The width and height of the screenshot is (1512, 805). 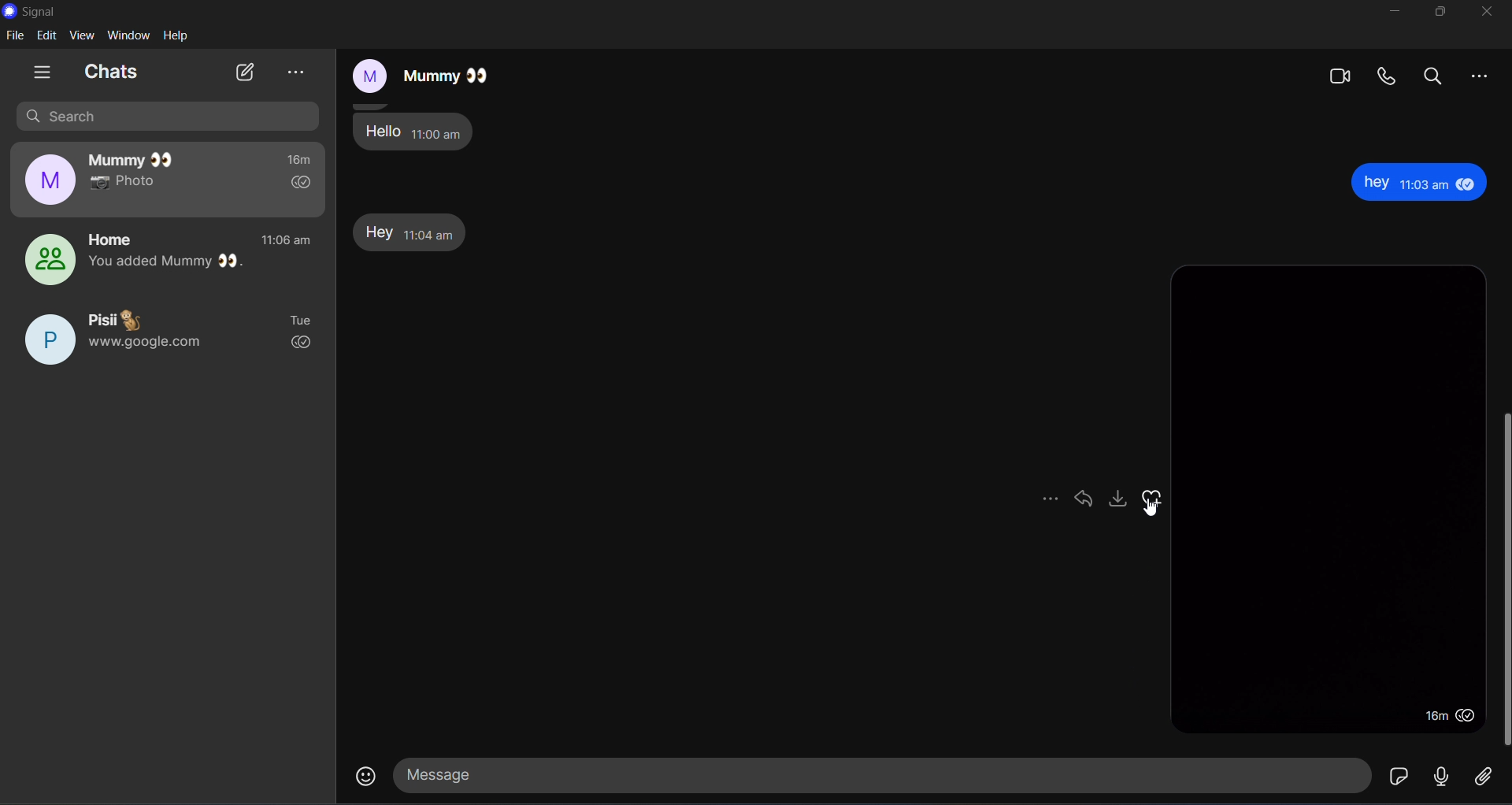 What do you see at coordinates (422, 132) in the screenshot?
I see `Hello message` at bounding box center [422, 132].